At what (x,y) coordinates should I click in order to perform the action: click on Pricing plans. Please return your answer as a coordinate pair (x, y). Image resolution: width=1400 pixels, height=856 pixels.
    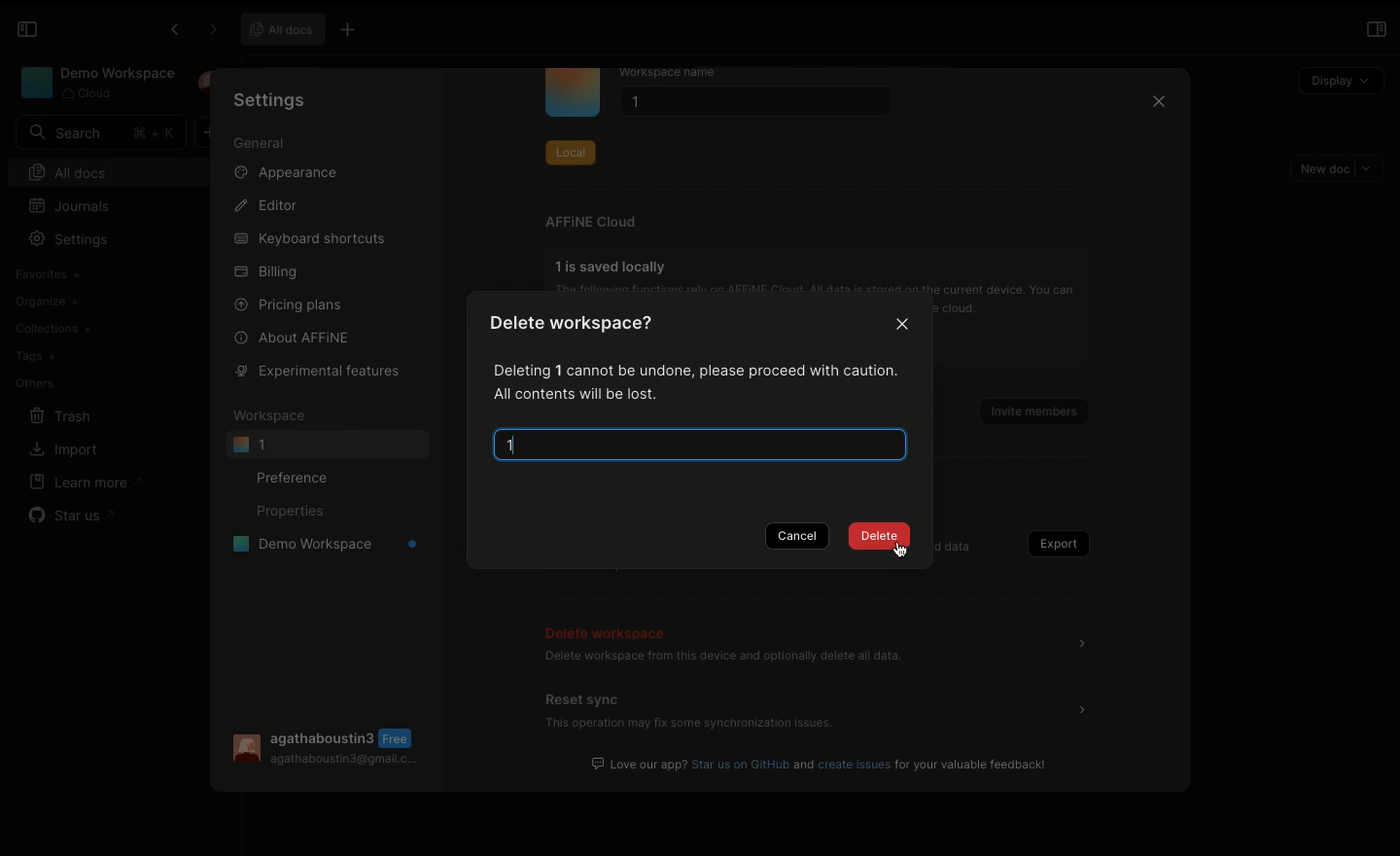
    Looking at the image, I should click on (290, 303).